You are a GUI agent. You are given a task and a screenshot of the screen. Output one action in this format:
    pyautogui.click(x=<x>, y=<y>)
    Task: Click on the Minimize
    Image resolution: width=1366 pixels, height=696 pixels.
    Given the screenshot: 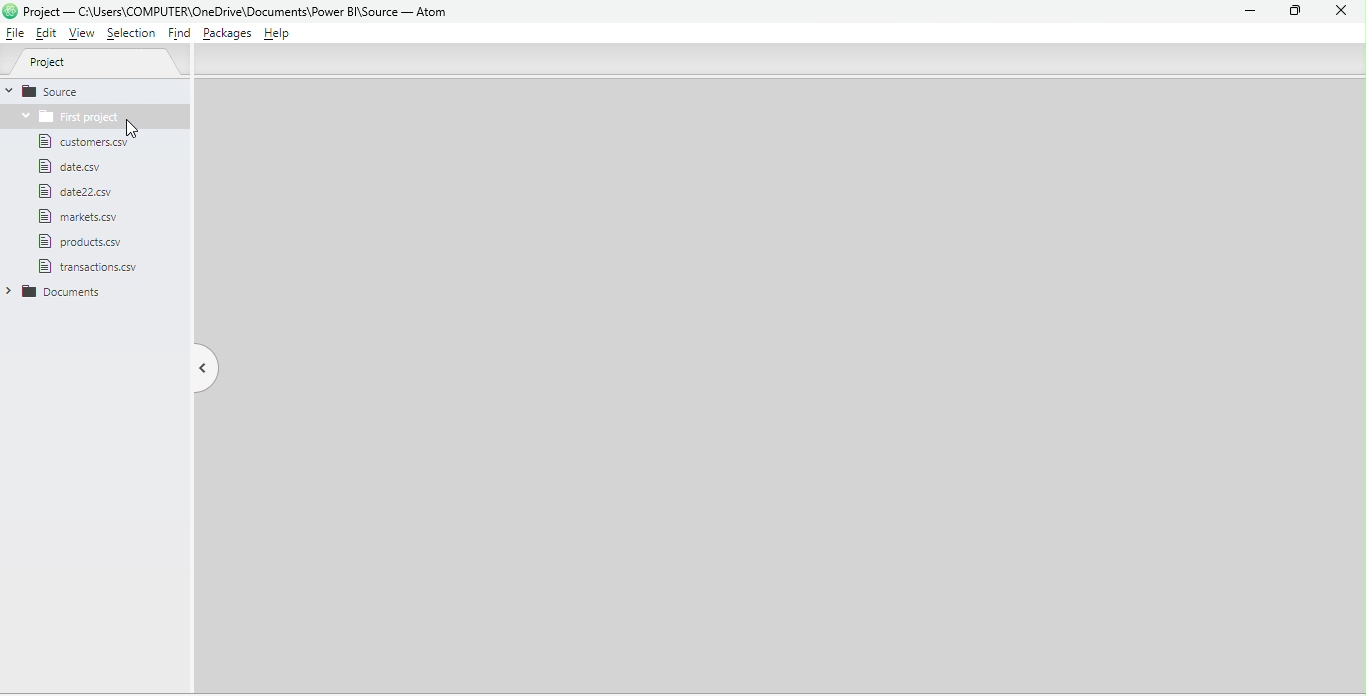 What is the action you would take?
    pyautogui.click(x=1247, y=11)
    